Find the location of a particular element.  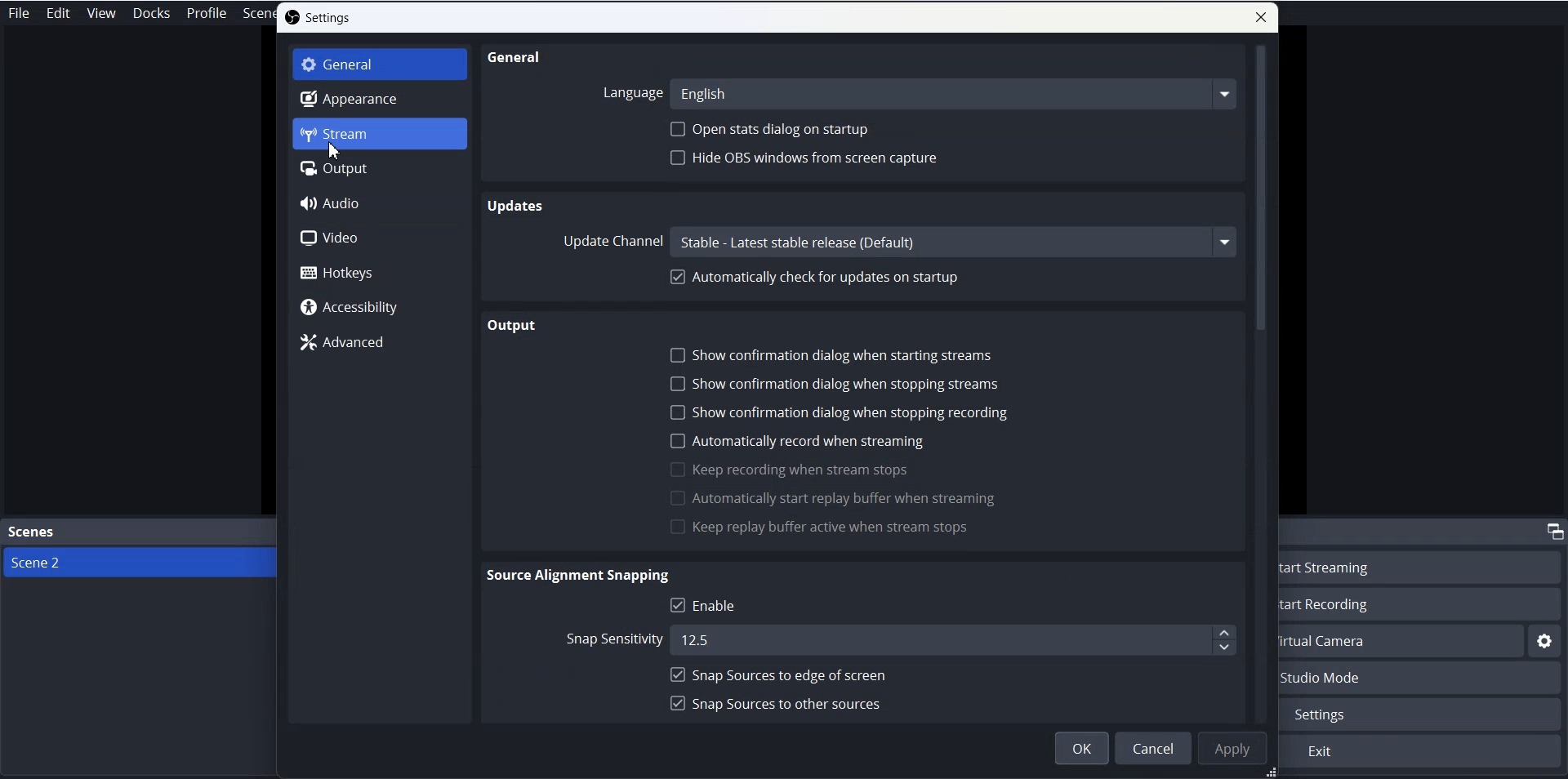

Hide ops window from screen capture is located at coordinates (808, 158).